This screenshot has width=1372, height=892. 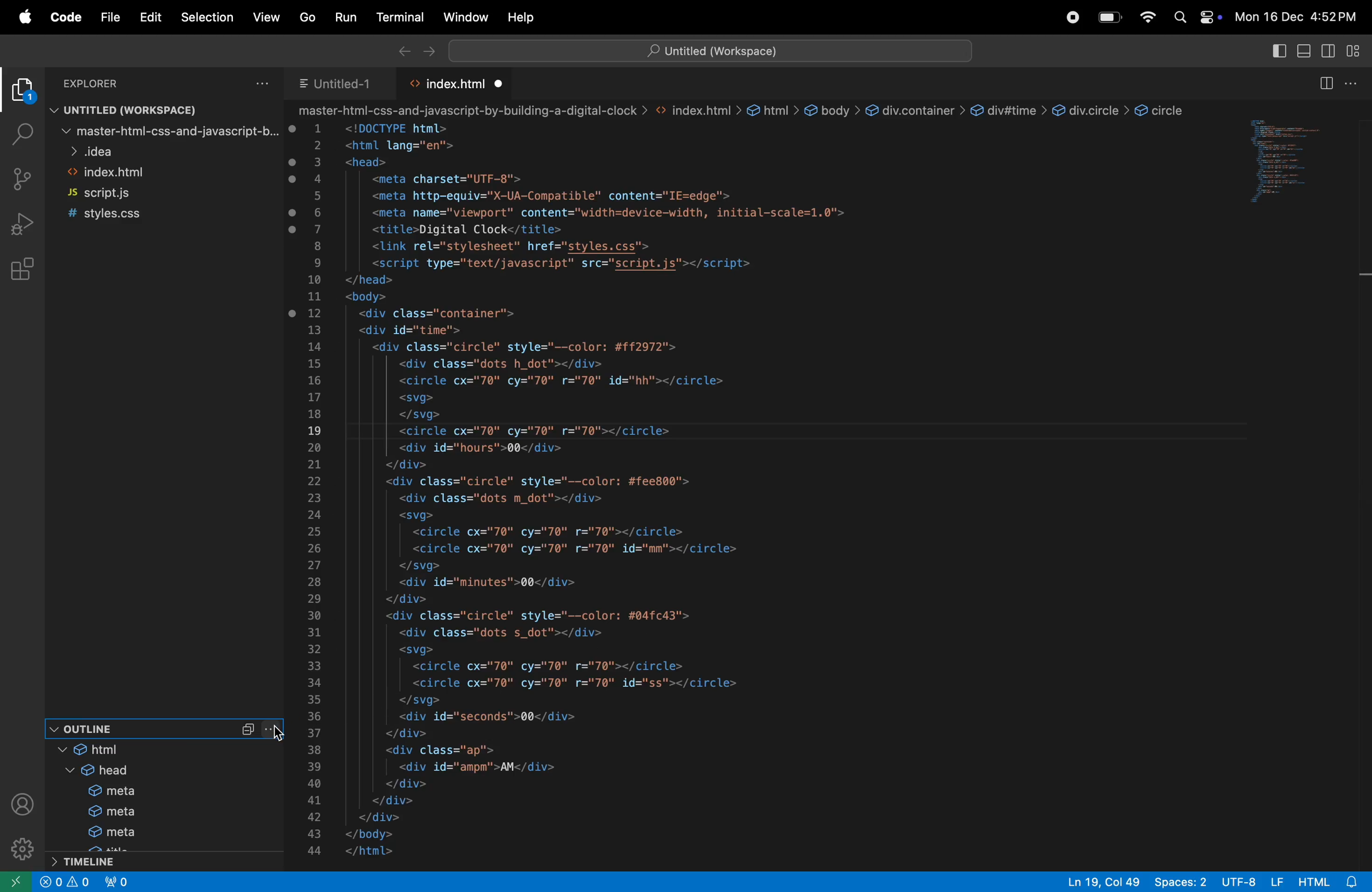 What do you see at coordinates (1333, 51) in the screenshot?
I see `primary secondary` at bounding box center [1333, 51].